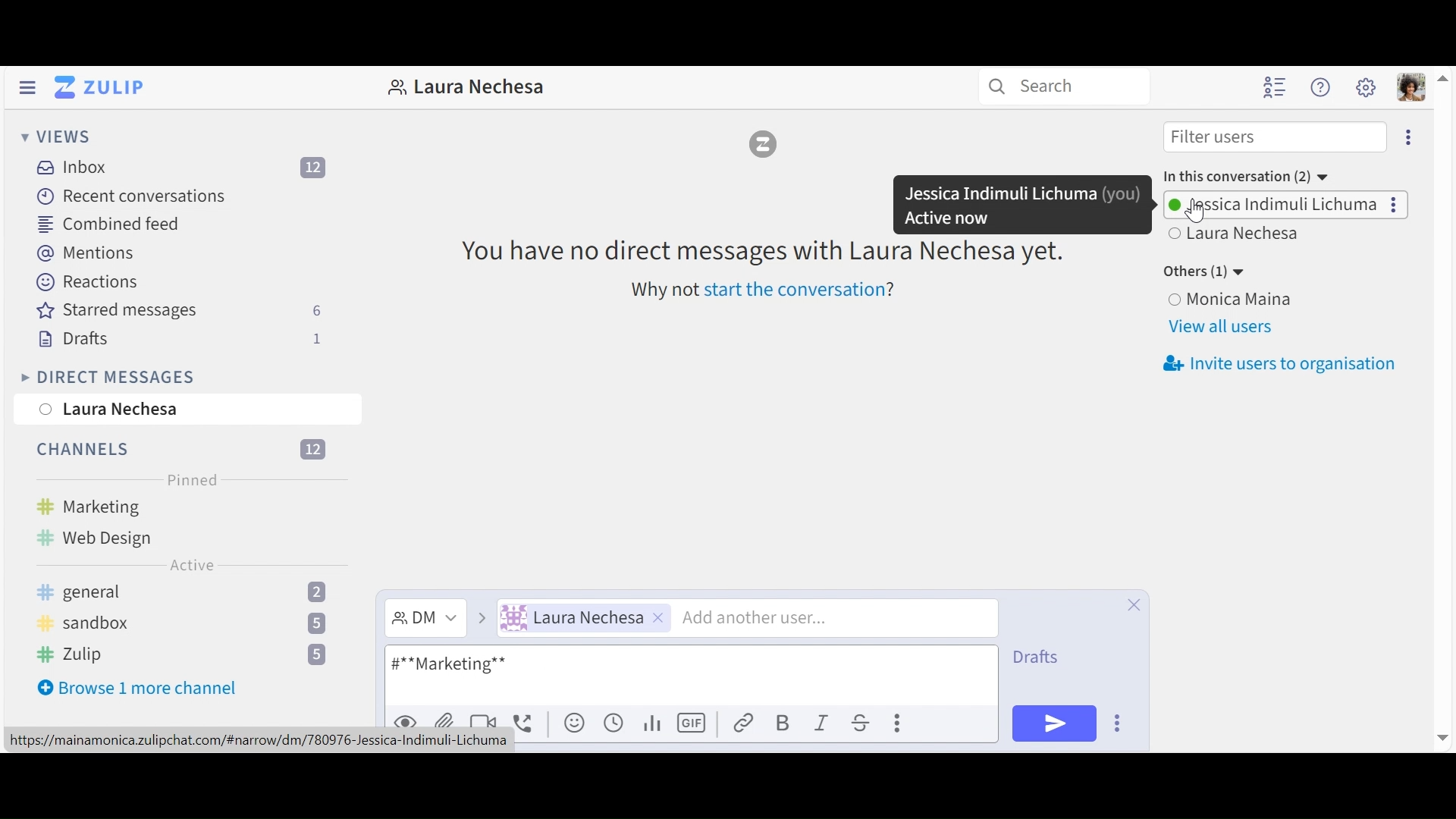  Describe the element at coordinates (116, 507) in the screenshot. I see `Marketing` at that location.